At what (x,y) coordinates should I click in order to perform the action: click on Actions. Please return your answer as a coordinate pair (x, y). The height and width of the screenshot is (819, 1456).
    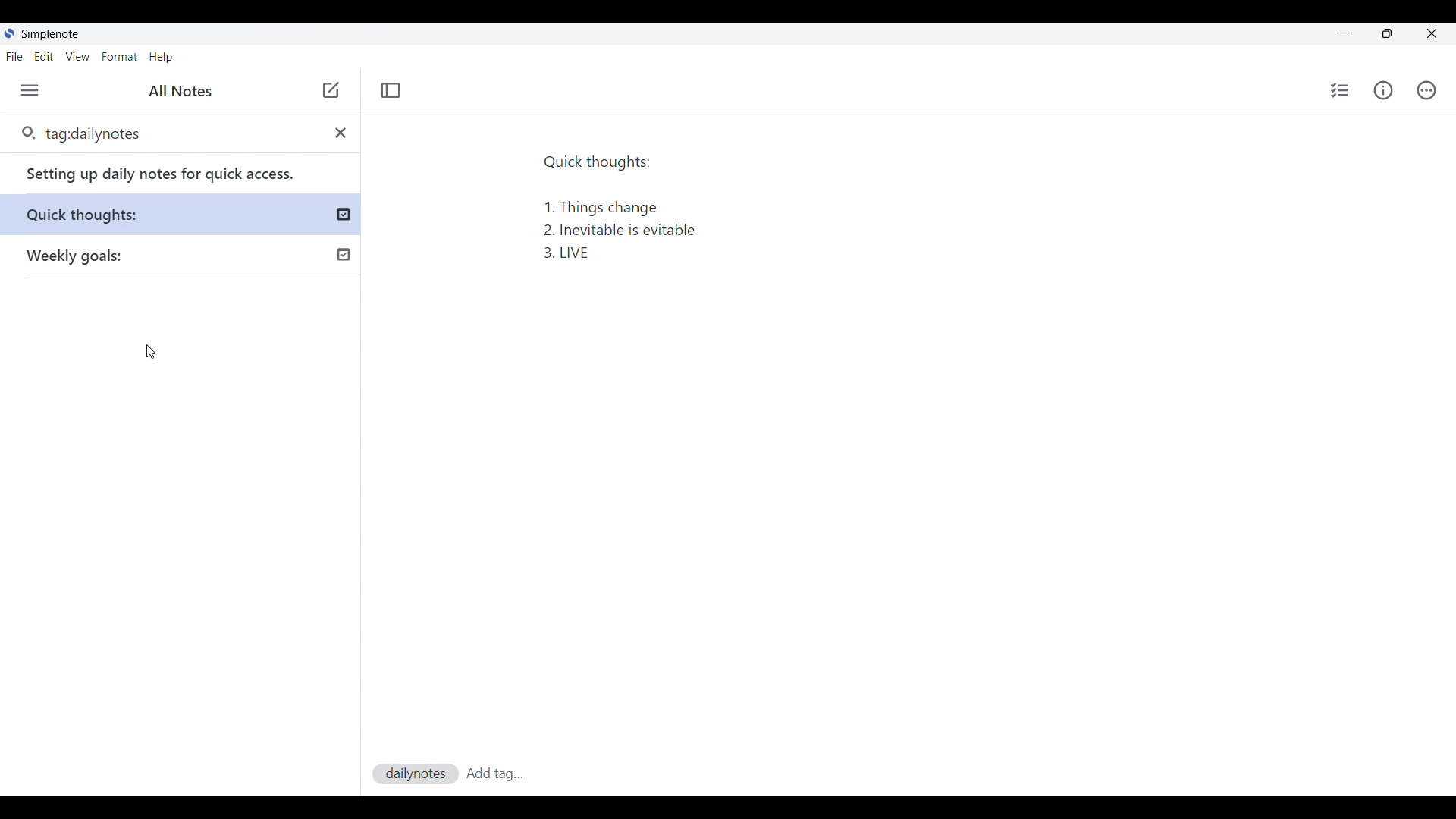
    Looking at the image, I should click on (1425, 89).